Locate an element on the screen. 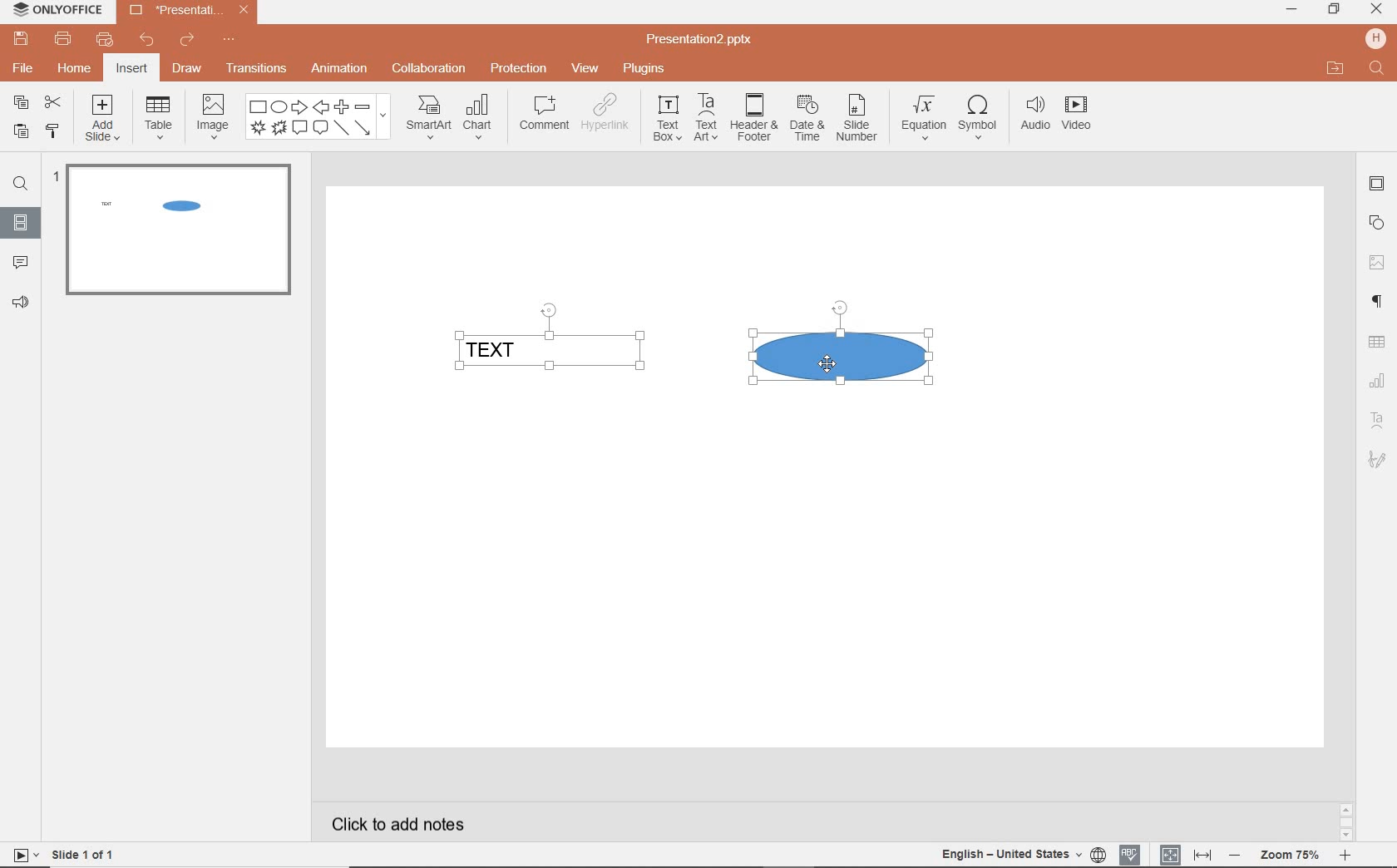 The height and width of the screenshot is (868, 1397). SLIDE1 is located at coordinates (178, 236).